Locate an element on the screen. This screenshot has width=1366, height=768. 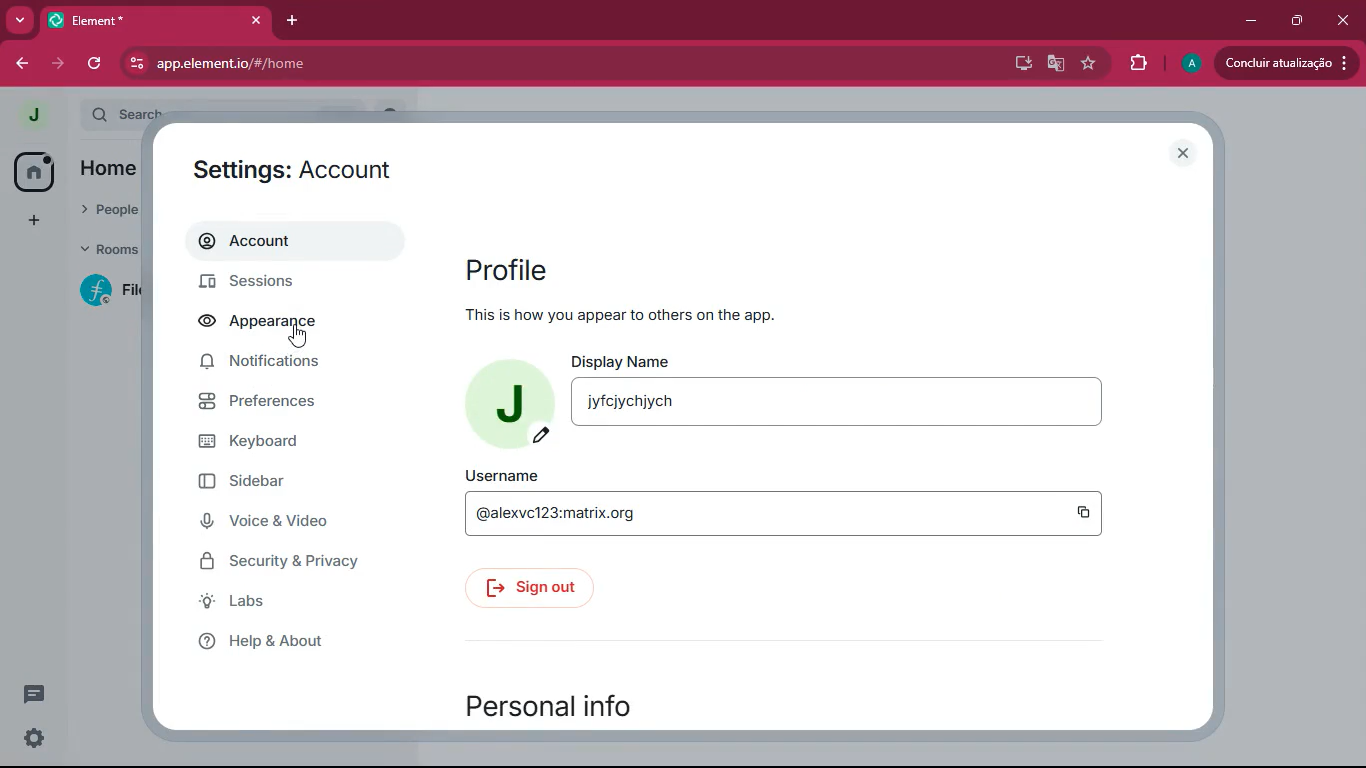
people is located at coordinates (111, 210).